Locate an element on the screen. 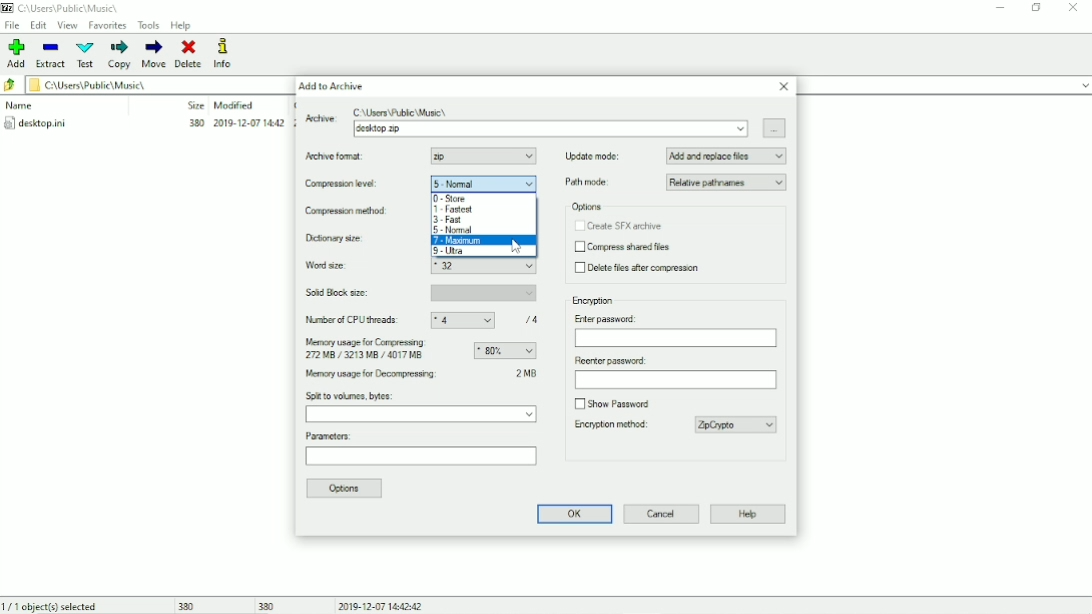 The width and height of the screenshot is (1092, 614). Date and Time is located at coordinates (384, 605).